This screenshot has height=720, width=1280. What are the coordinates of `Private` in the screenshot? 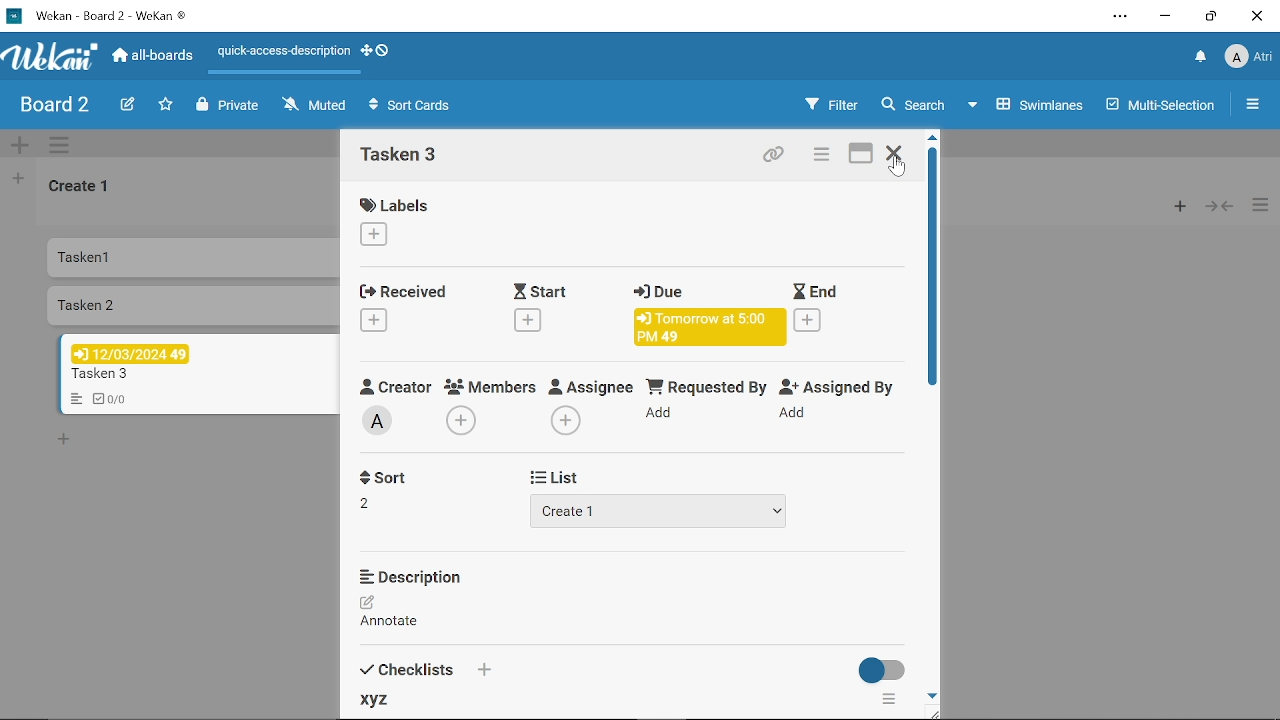 It's located at (225, 104).